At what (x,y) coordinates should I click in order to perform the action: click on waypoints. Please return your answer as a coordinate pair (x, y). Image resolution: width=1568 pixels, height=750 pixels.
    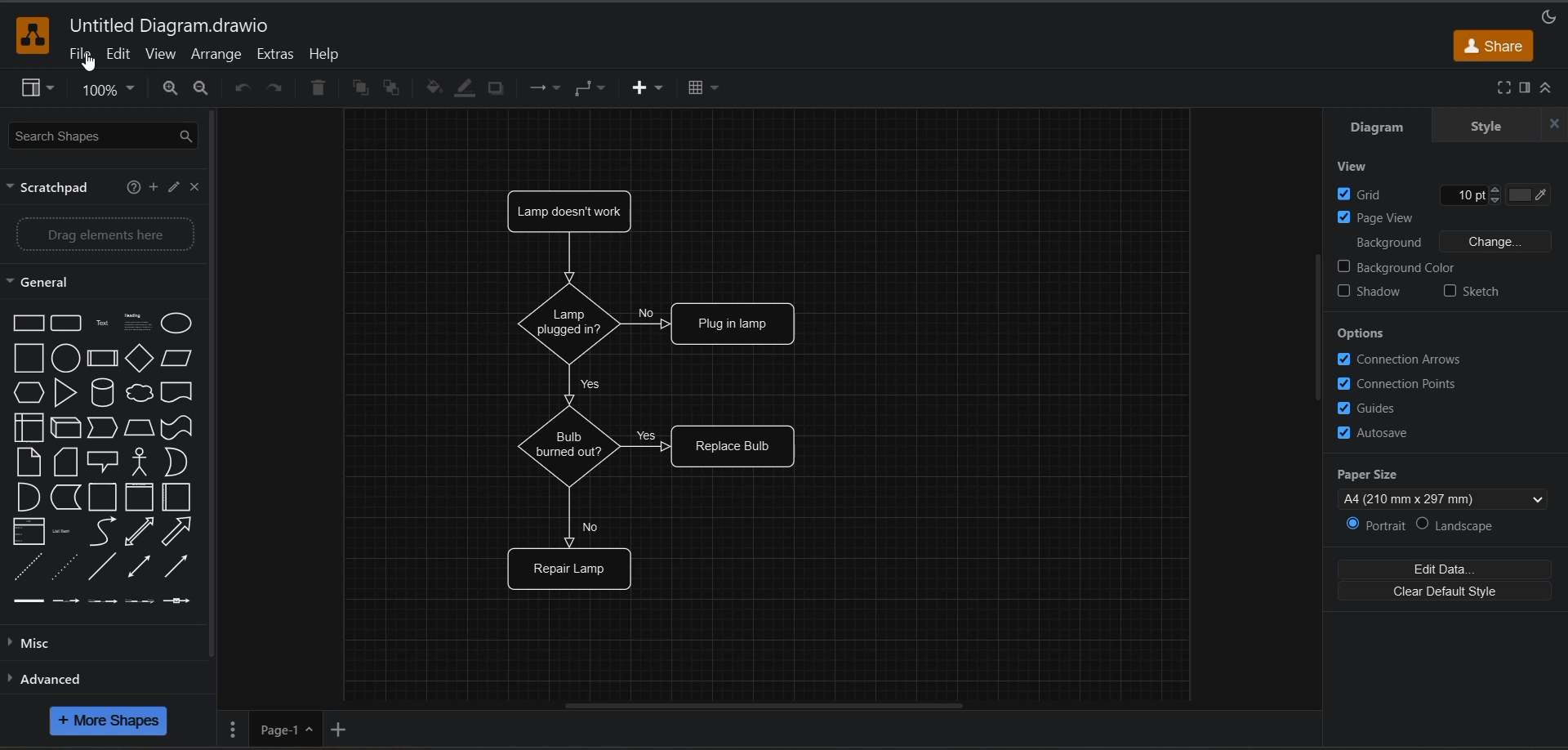
    Looking at the image, I should click on (592, 89).